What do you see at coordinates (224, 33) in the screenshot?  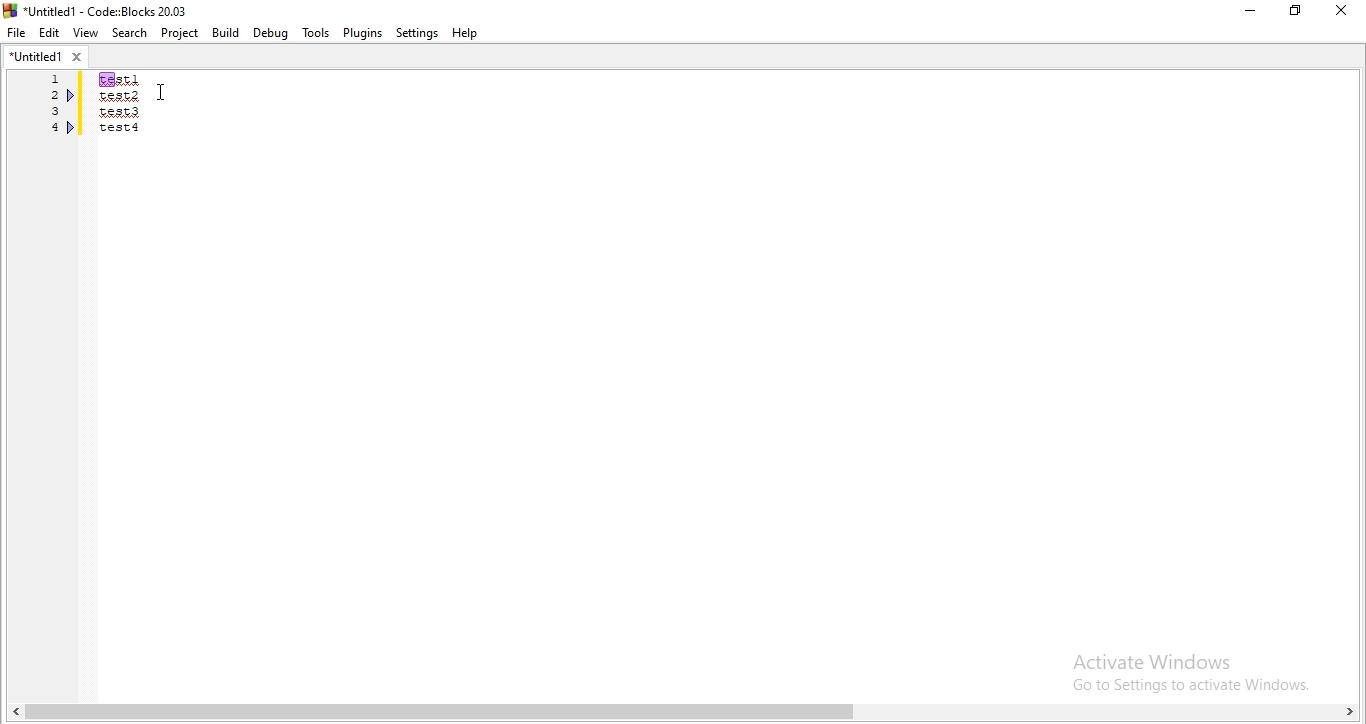 I see `Build ` at bounding box center [224, 33].